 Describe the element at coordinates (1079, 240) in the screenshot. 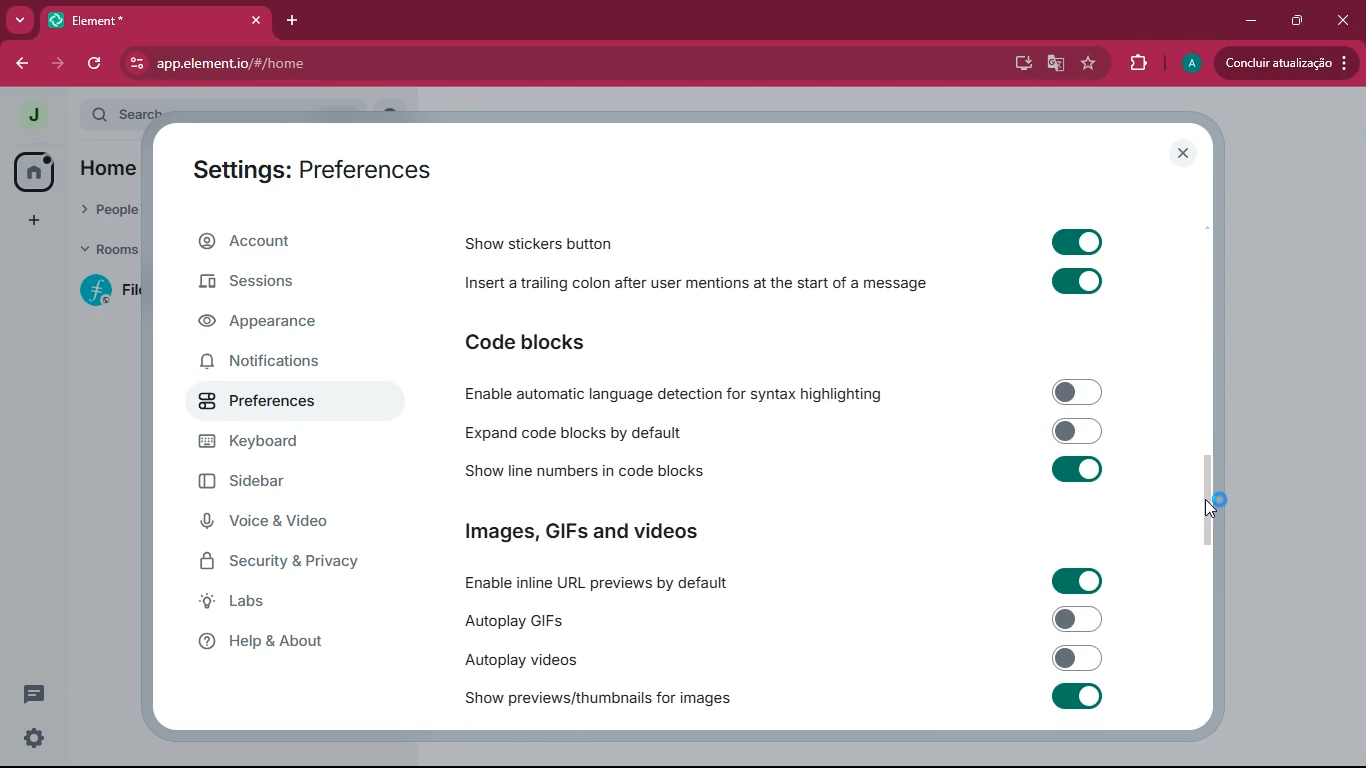

I see `Toggle on` at that location.